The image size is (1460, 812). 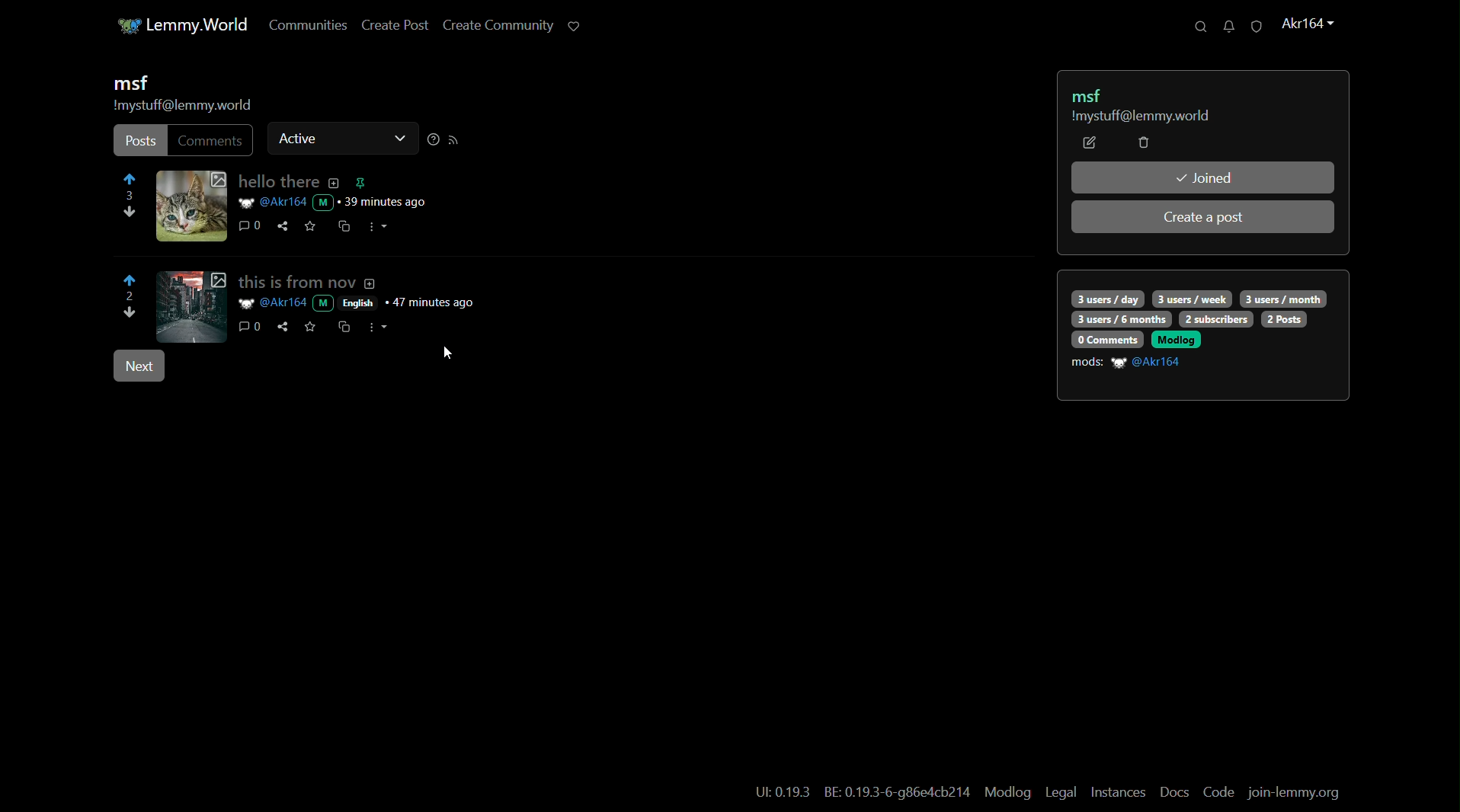 I want to click on rss, so click(x=454, y=140).